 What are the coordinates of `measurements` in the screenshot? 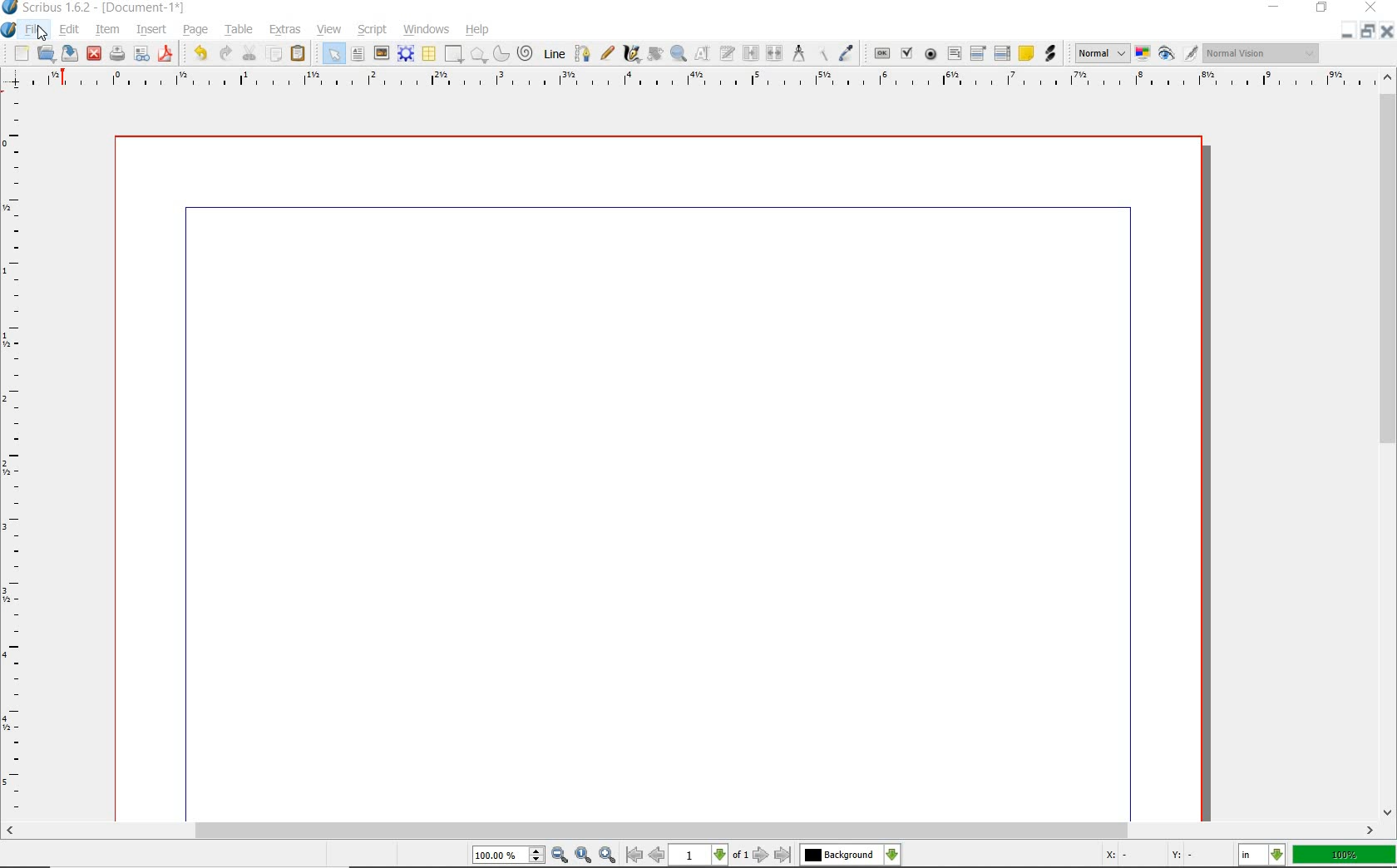 It's located at (799, 54).